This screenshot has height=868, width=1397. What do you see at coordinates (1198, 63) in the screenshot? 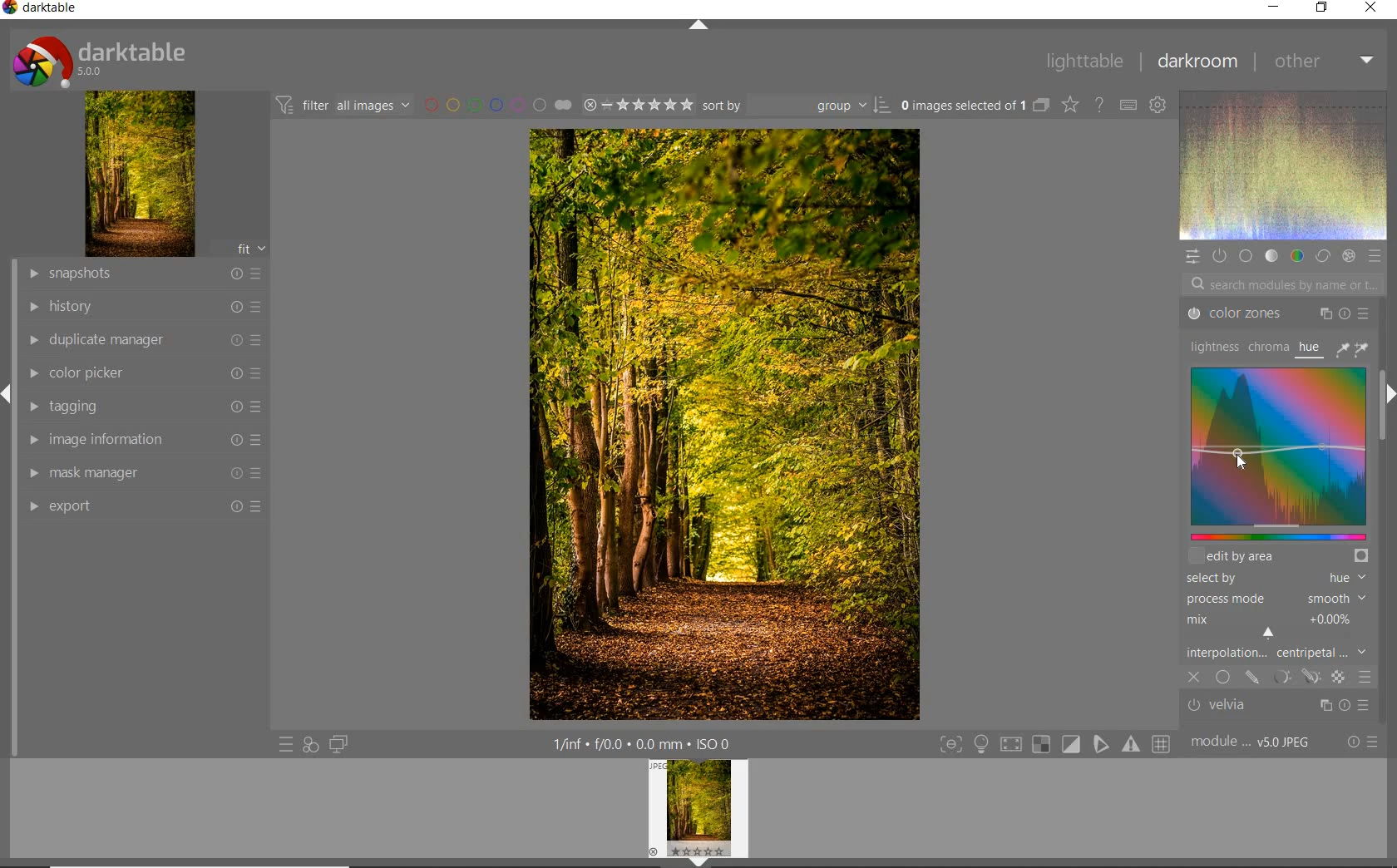
I see `DARKROOM` at bounding box center [1198, 63].